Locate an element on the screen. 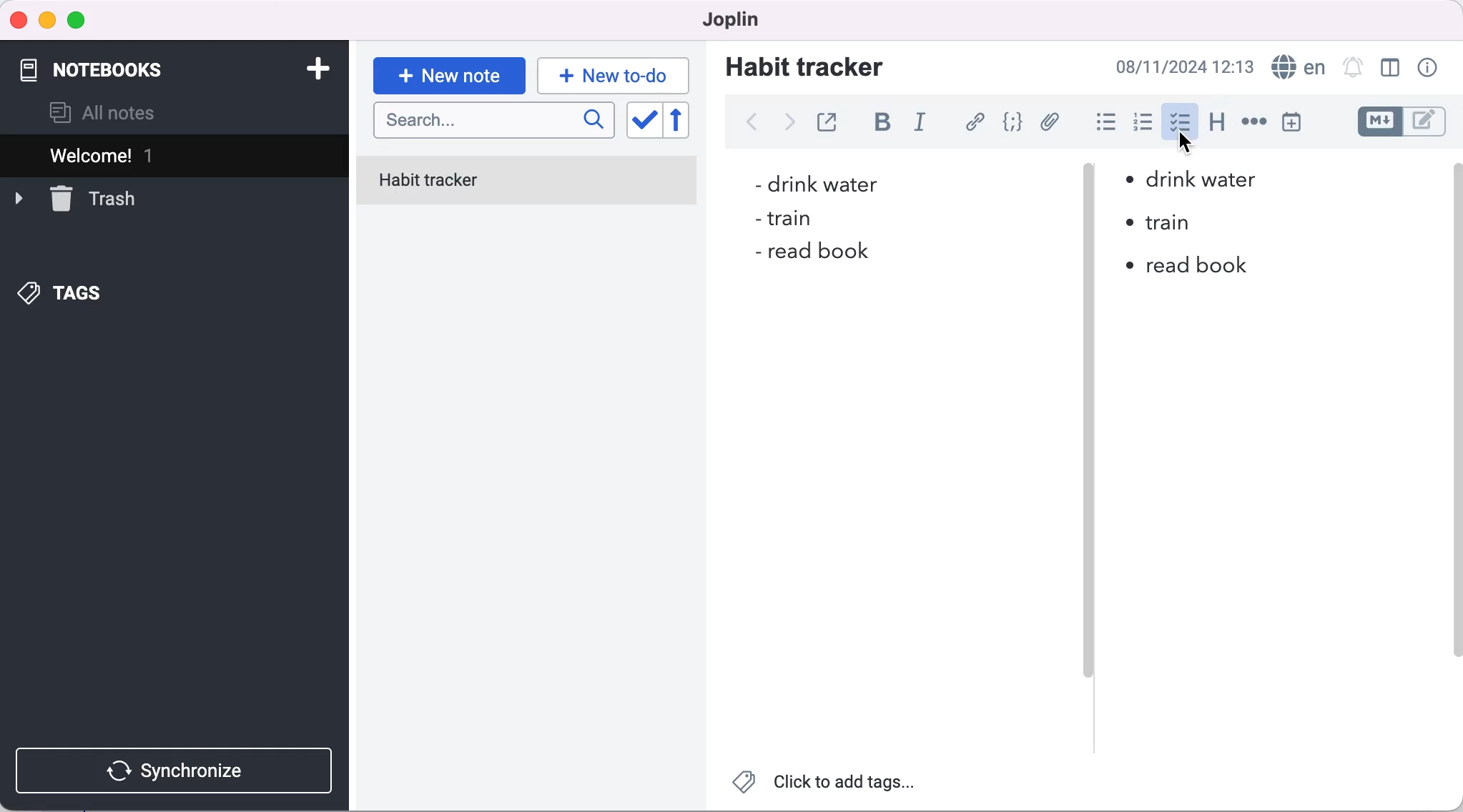 The width and height of the screenshot is (1463, 812). bulleted list is located at coordinates (1103, 124).